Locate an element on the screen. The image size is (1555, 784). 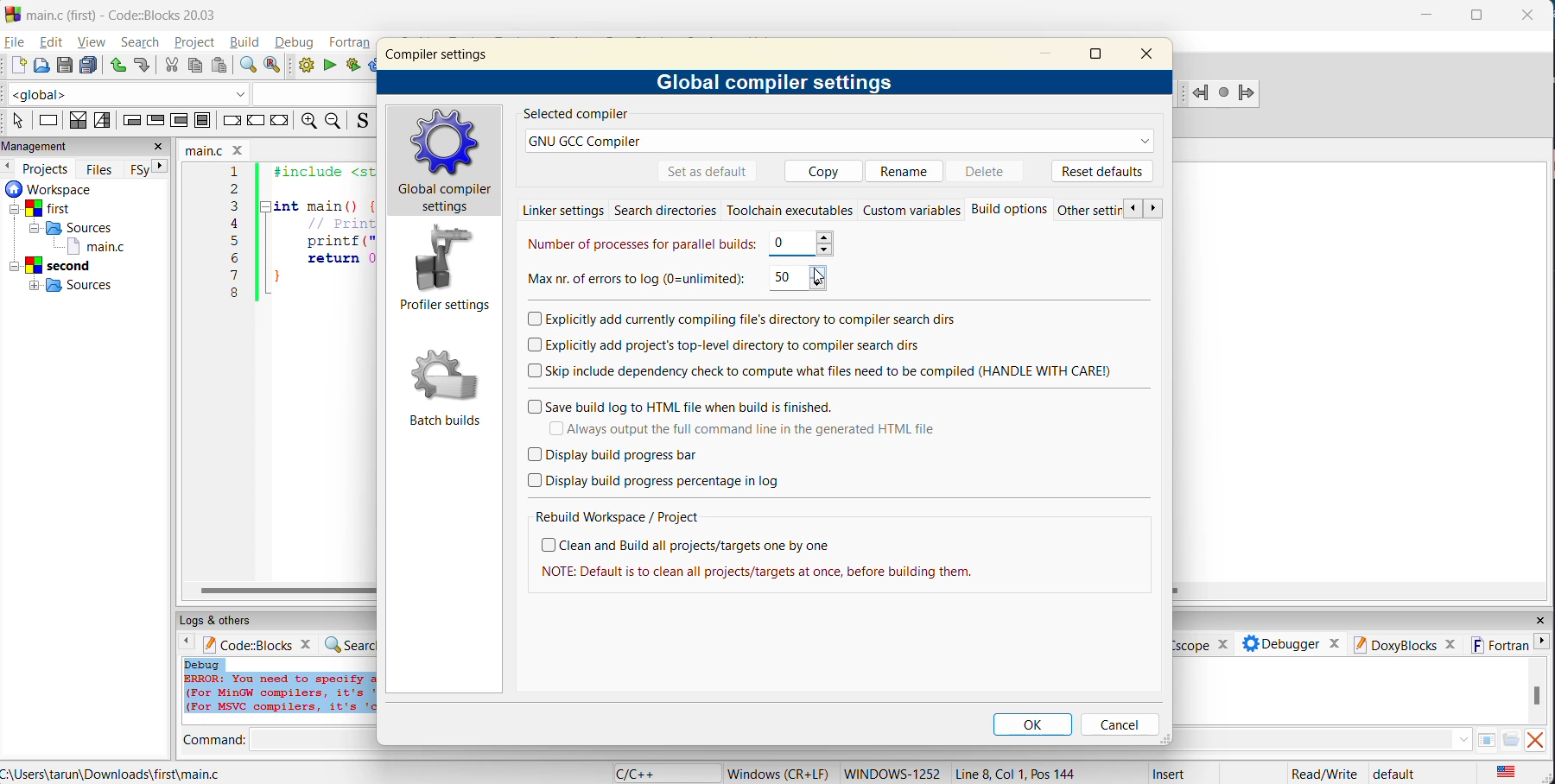
explicitly add currently compiling files directory to compiler search dis is located at coordinates (746, 318).